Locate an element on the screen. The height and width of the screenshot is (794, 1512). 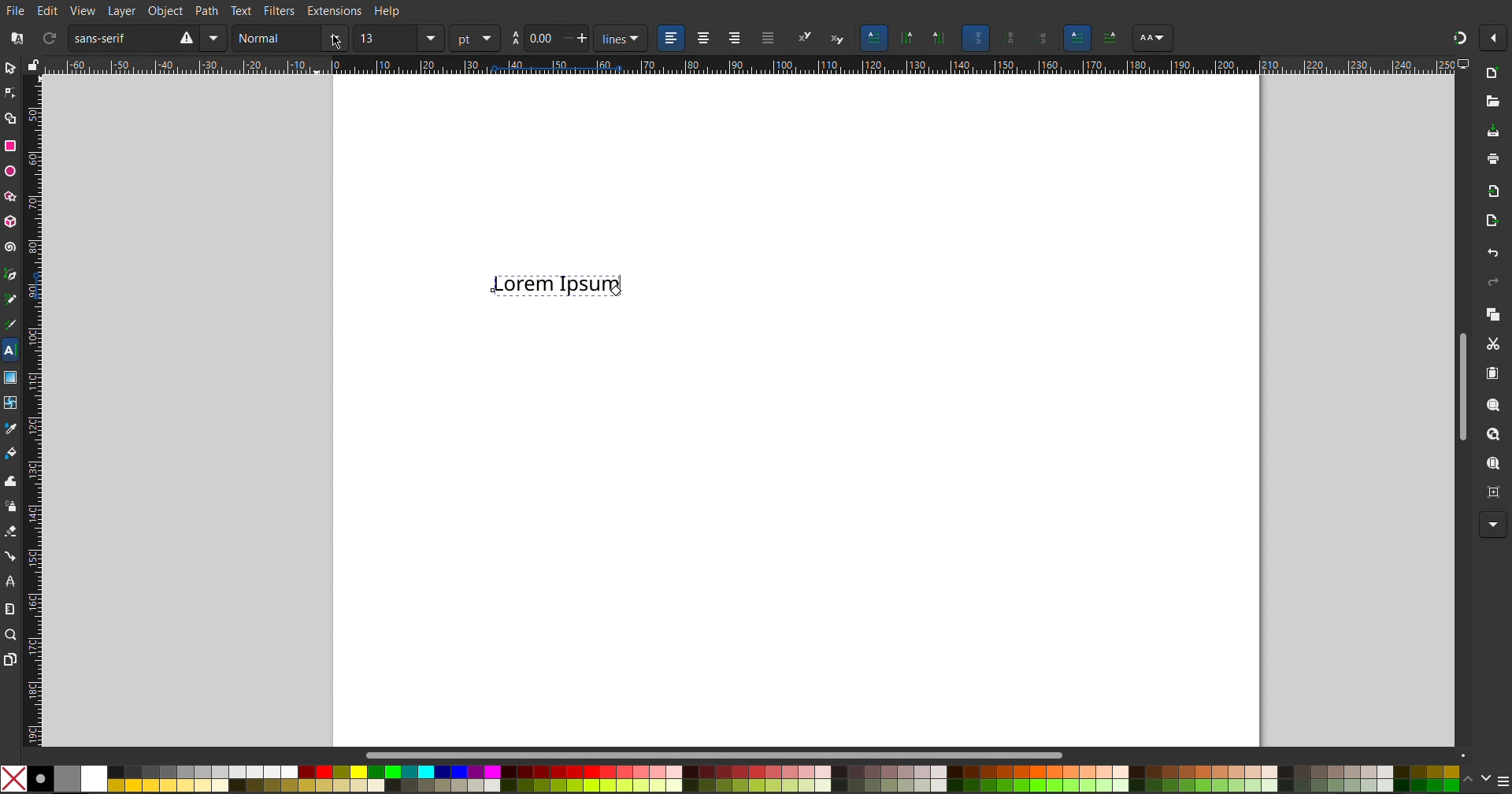
Print is located at coordinates (1492, 161).